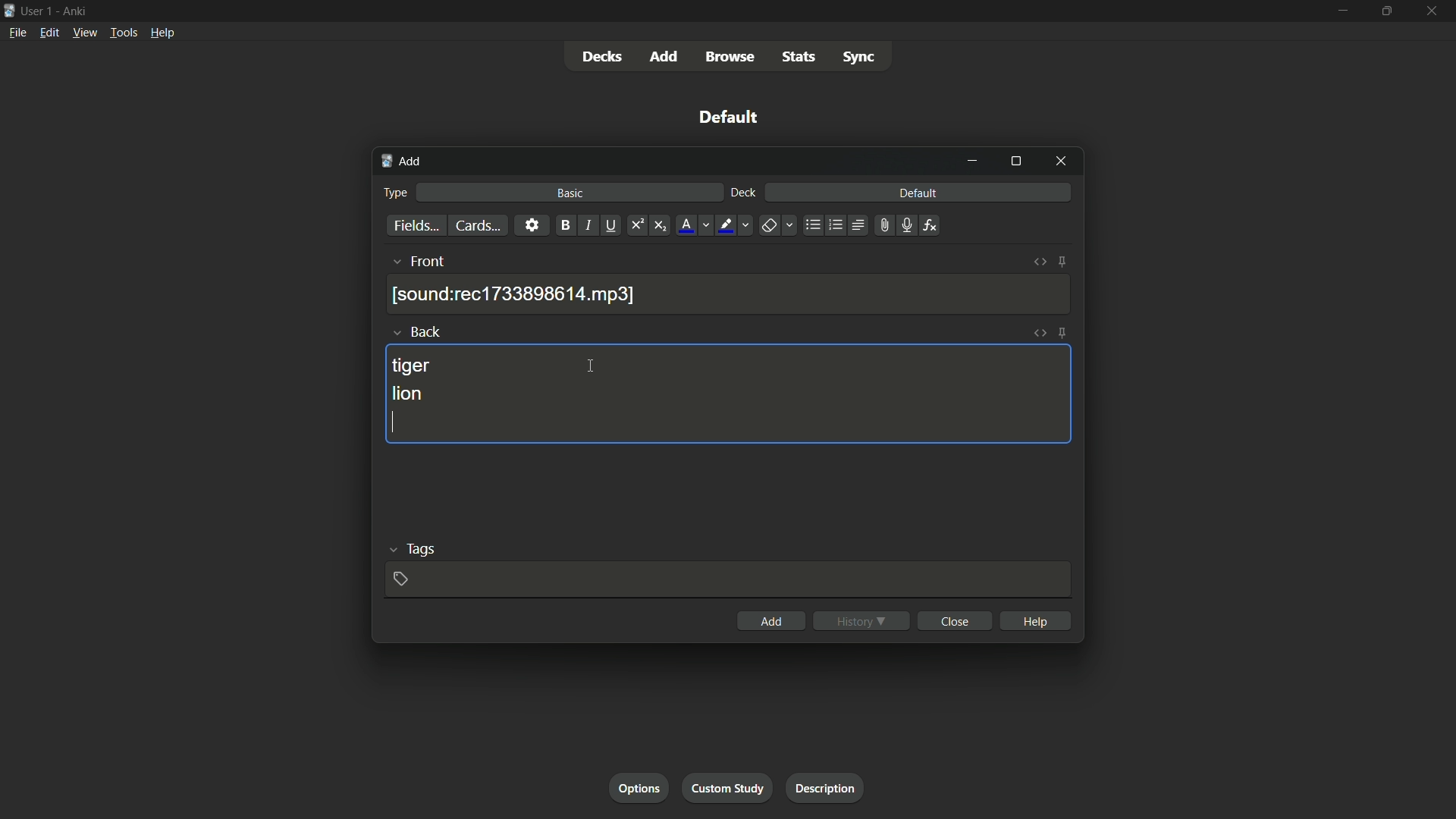  What do you see at coordinates (834, 225) in the screenshot?
I see `ordered list` at bounding box center [834, 225].